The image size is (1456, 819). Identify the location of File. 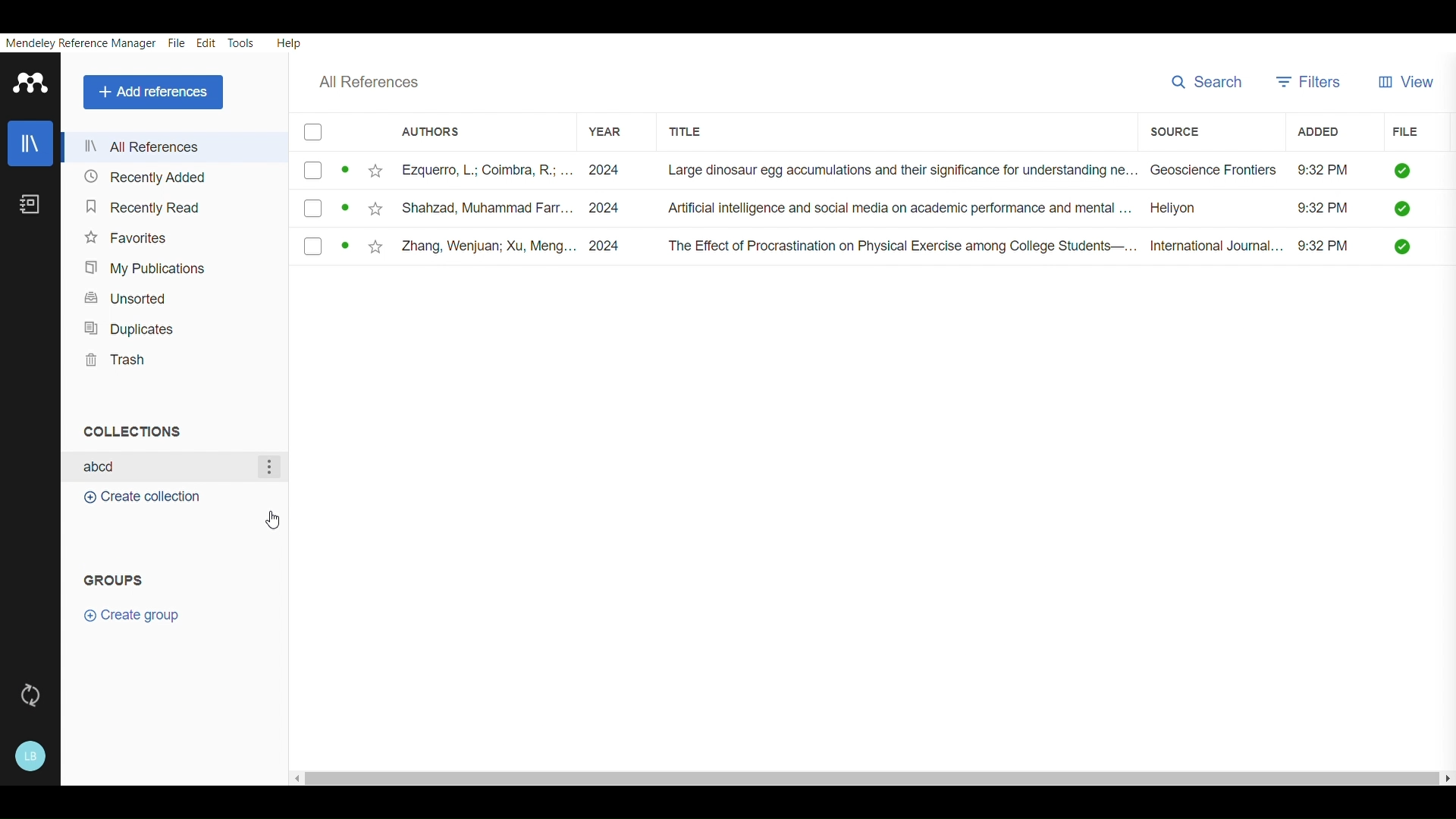
(176, 42).